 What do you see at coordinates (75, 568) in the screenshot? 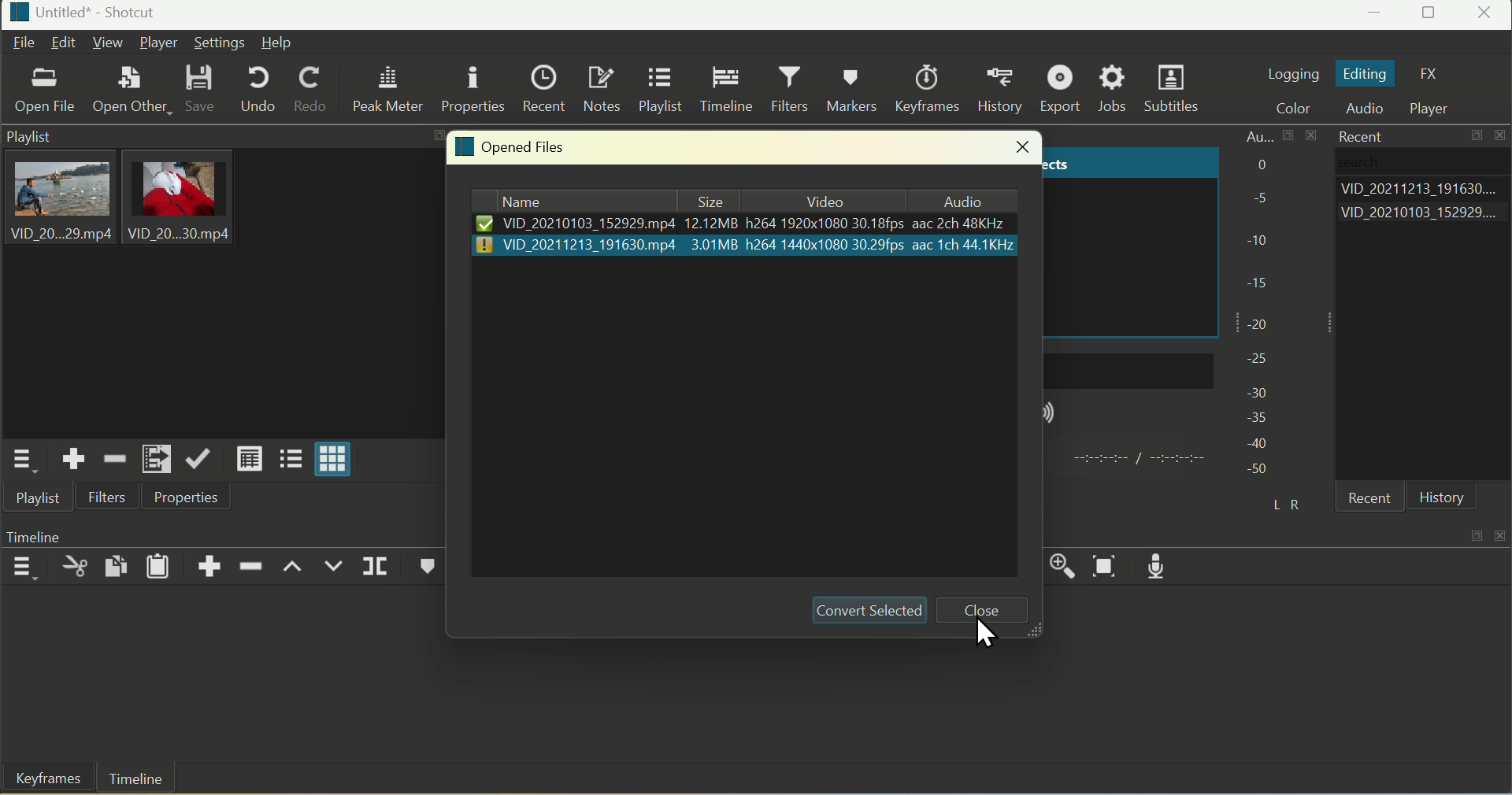
I see `Cut` at bounding box center [75, 568].